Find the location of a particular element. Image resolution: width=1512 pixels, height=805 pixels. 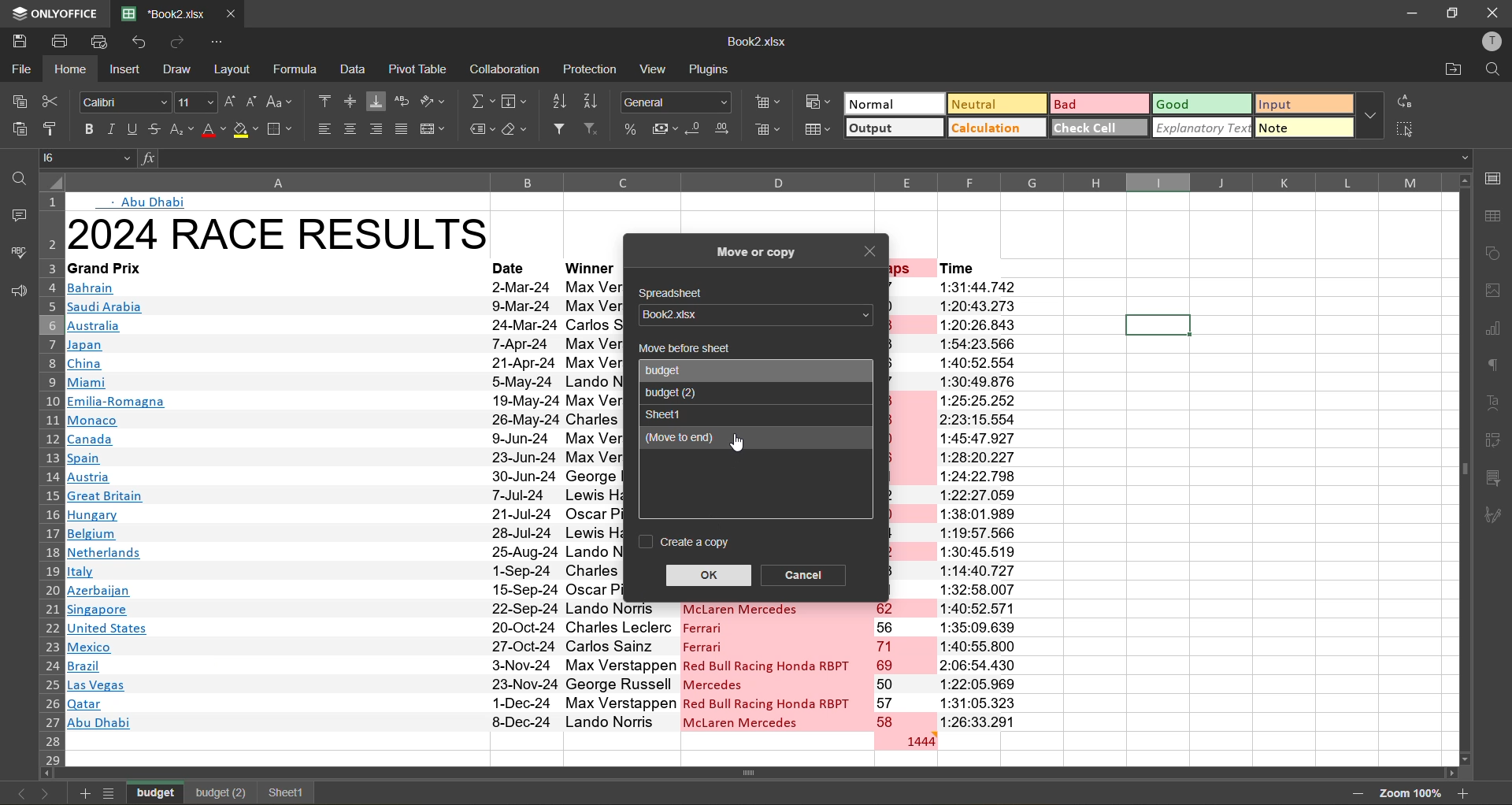

zoom out is located at coordinates (1352, 793).